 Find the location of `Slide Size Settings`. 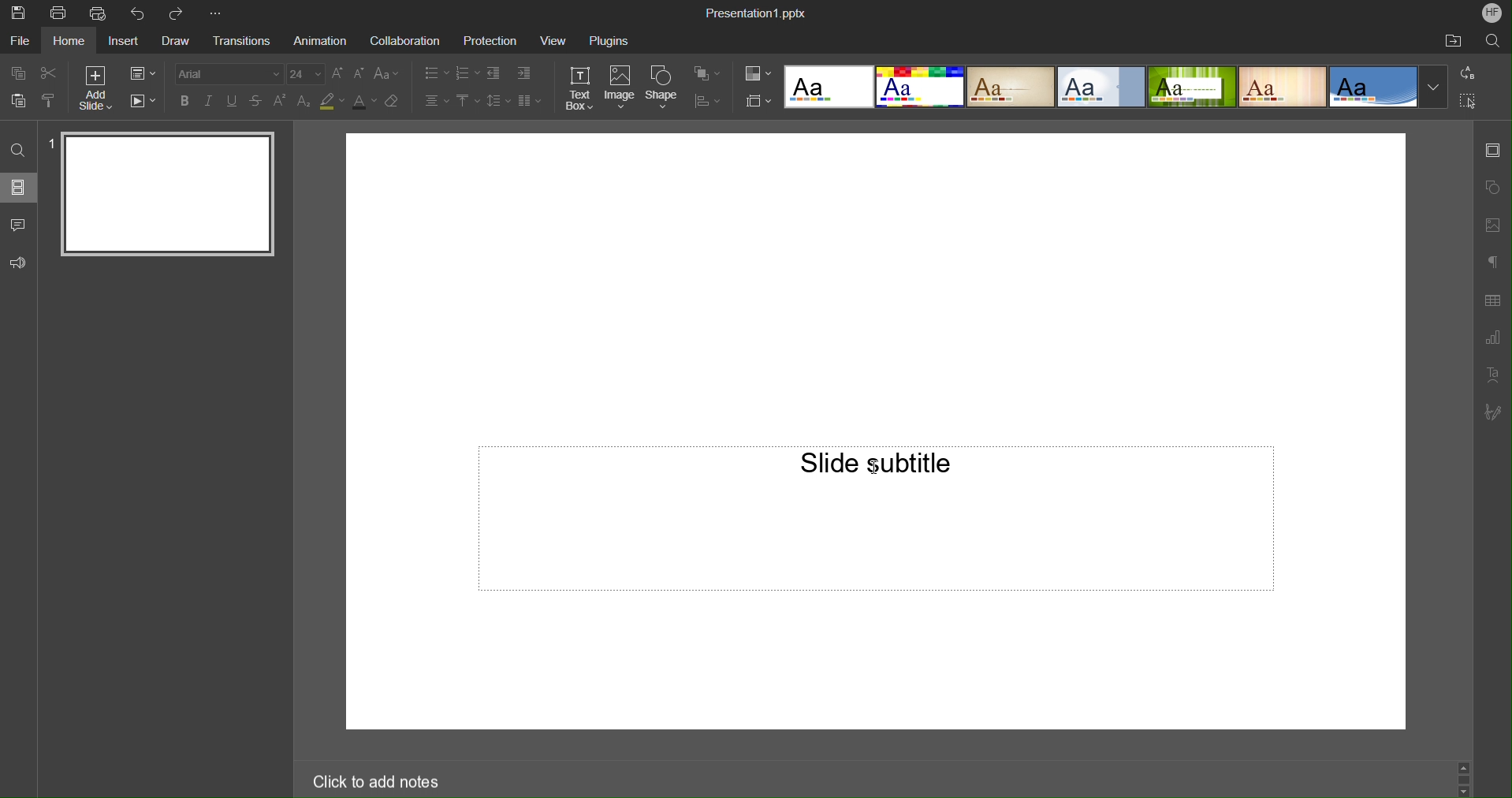

Slide Size Settings is located at coordinates (758, 100).